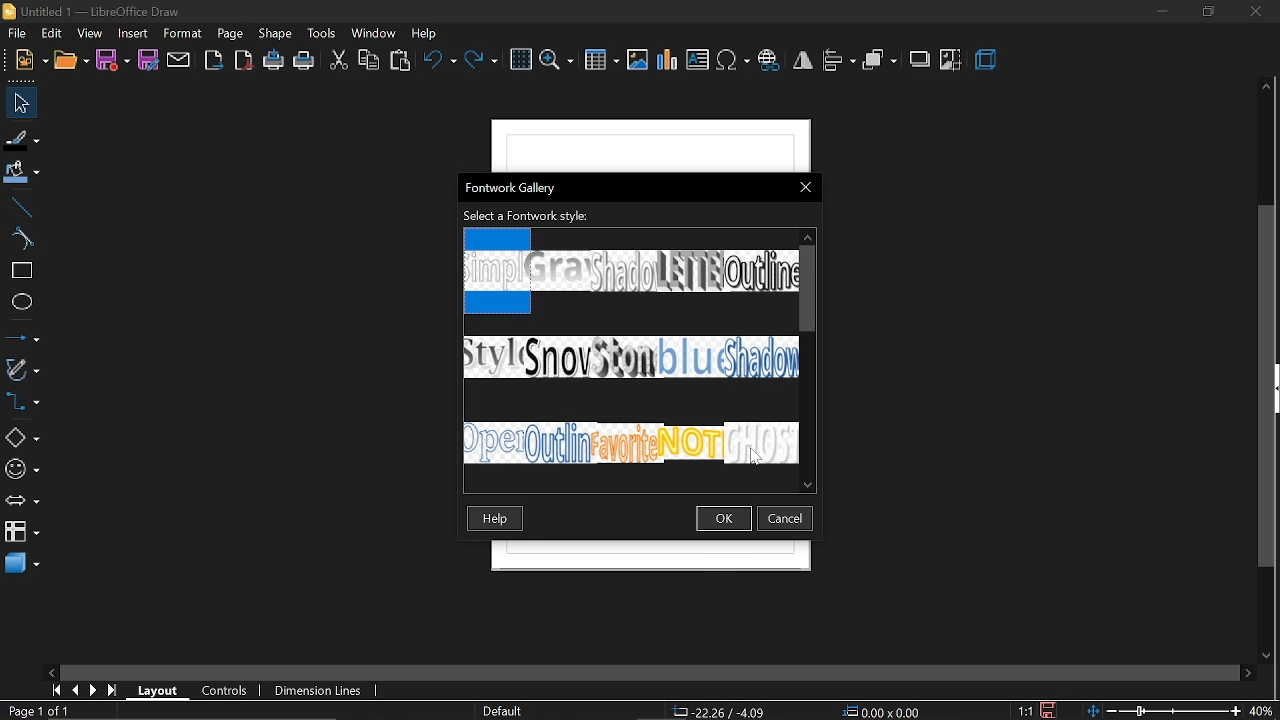  Describe the element at coordinates (1268, 88) in the screenshot. I see `move up` at that location.